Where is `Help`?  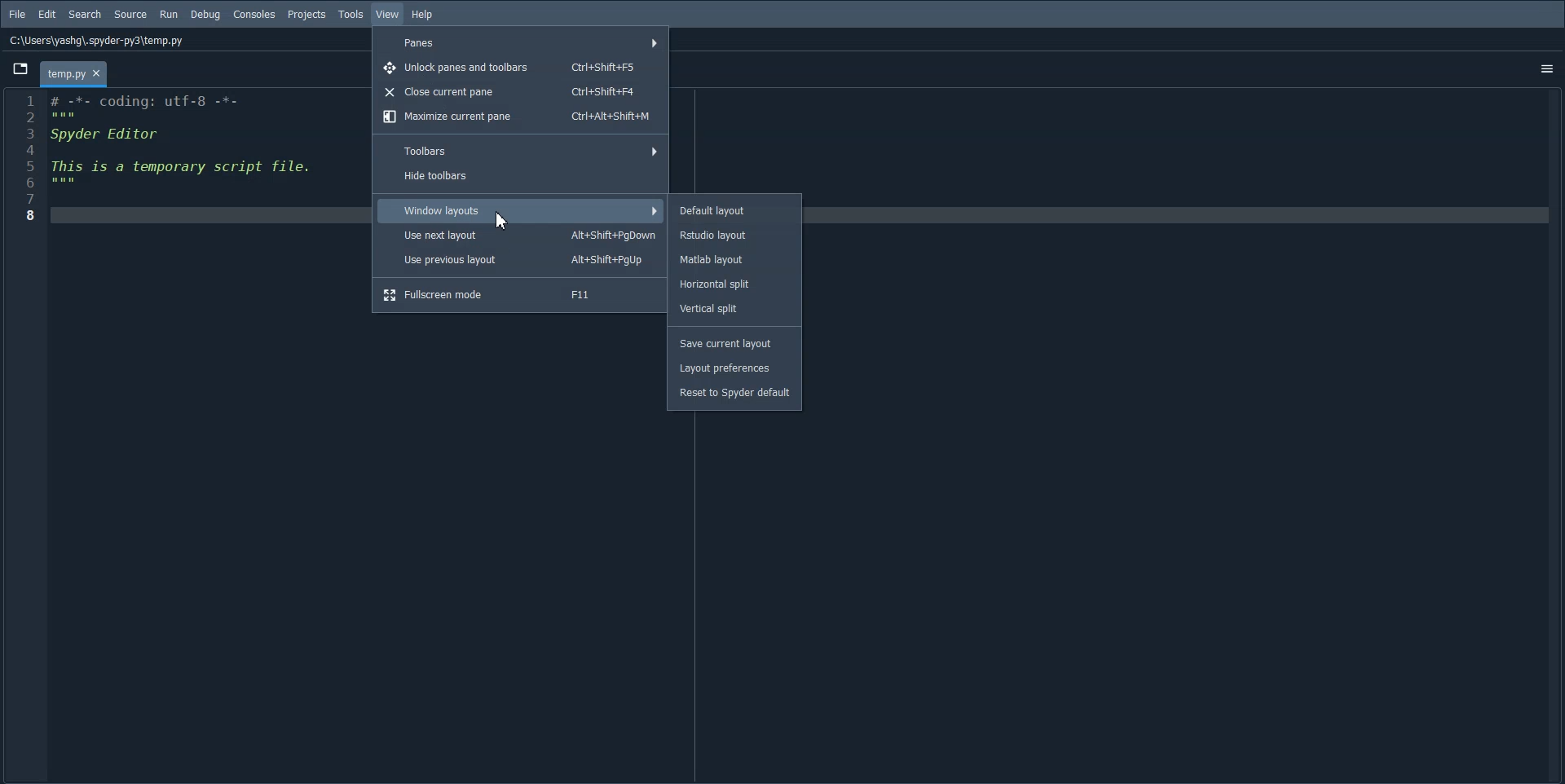
Help is located at coordinates (424, 15).